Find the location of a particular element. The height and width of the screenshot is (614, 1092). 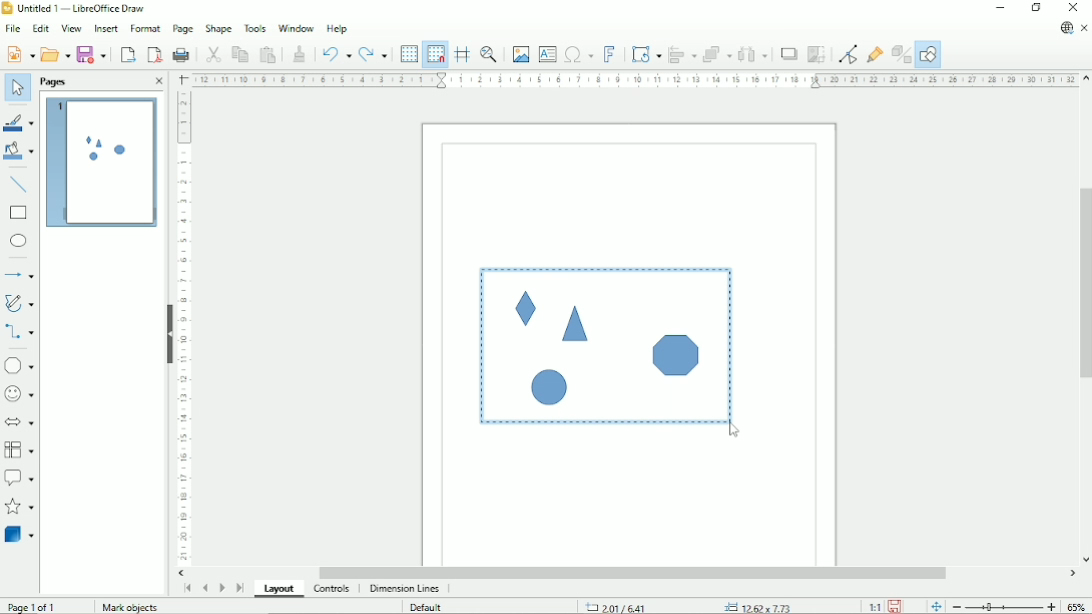

Undo is located at coordinates (336, 55).